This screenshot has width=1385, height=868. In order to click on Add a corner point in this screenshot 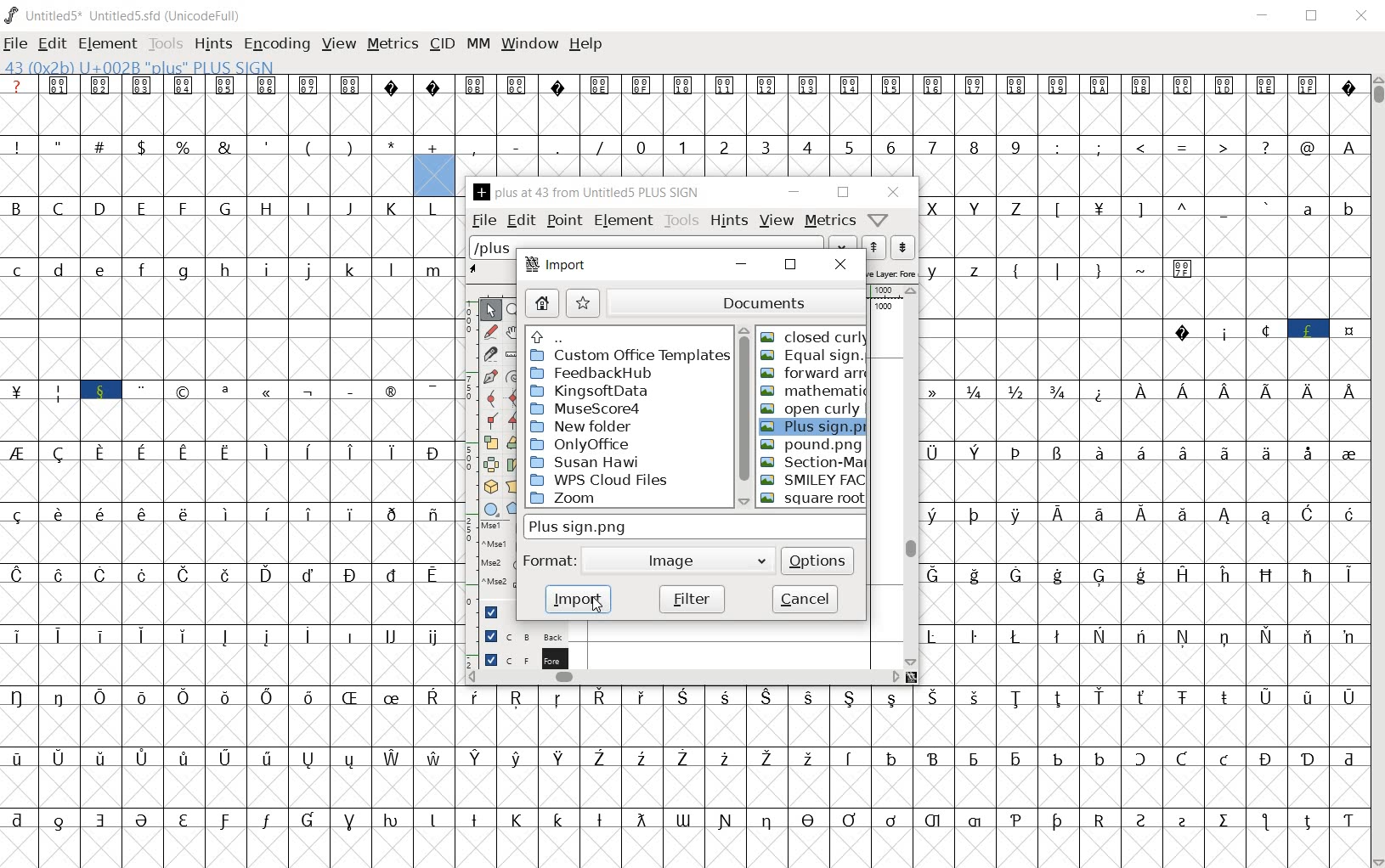, I will do `click(491, 420)`.